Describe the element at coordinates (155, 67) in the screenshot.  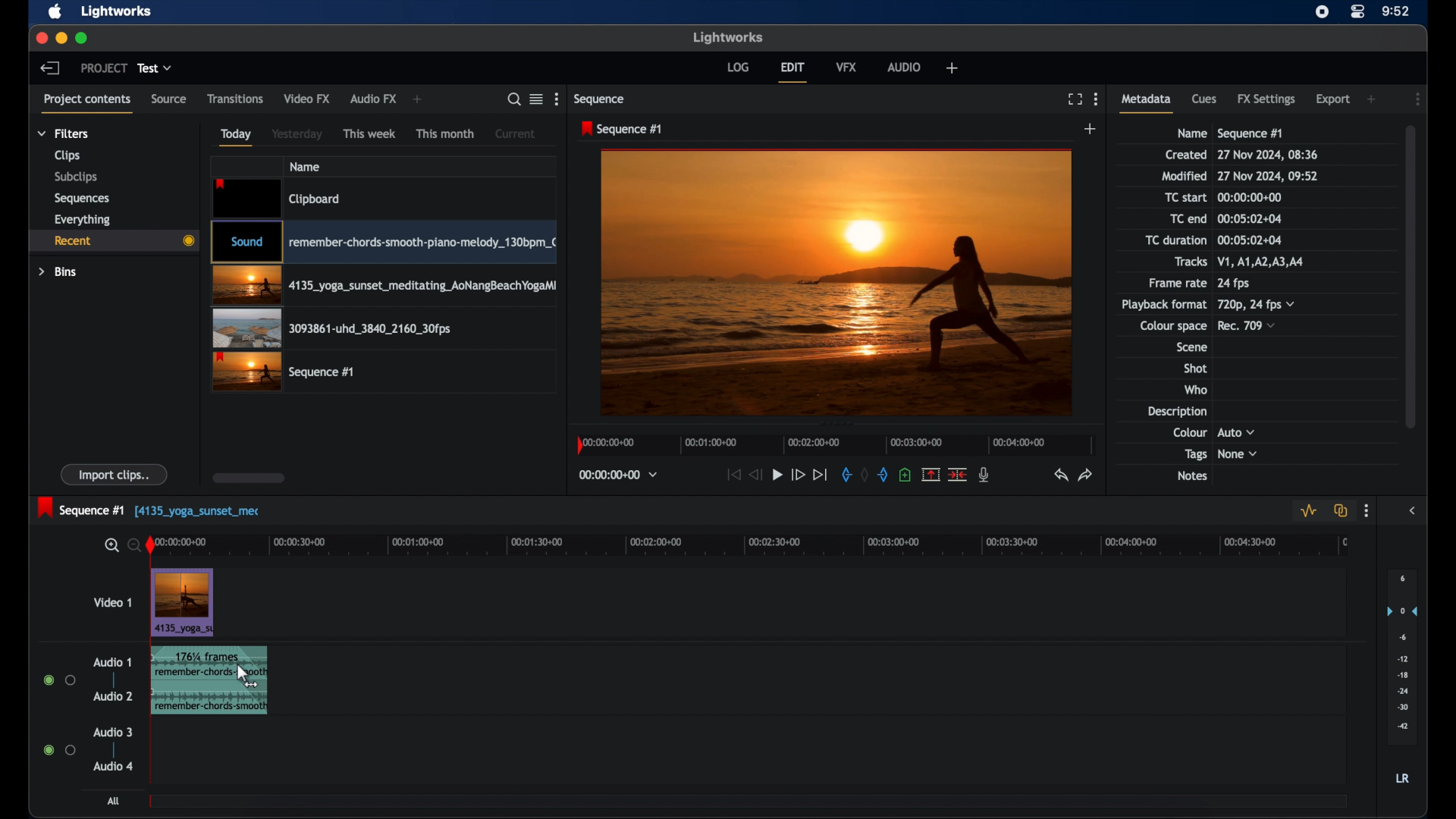
I see `test` at that location.